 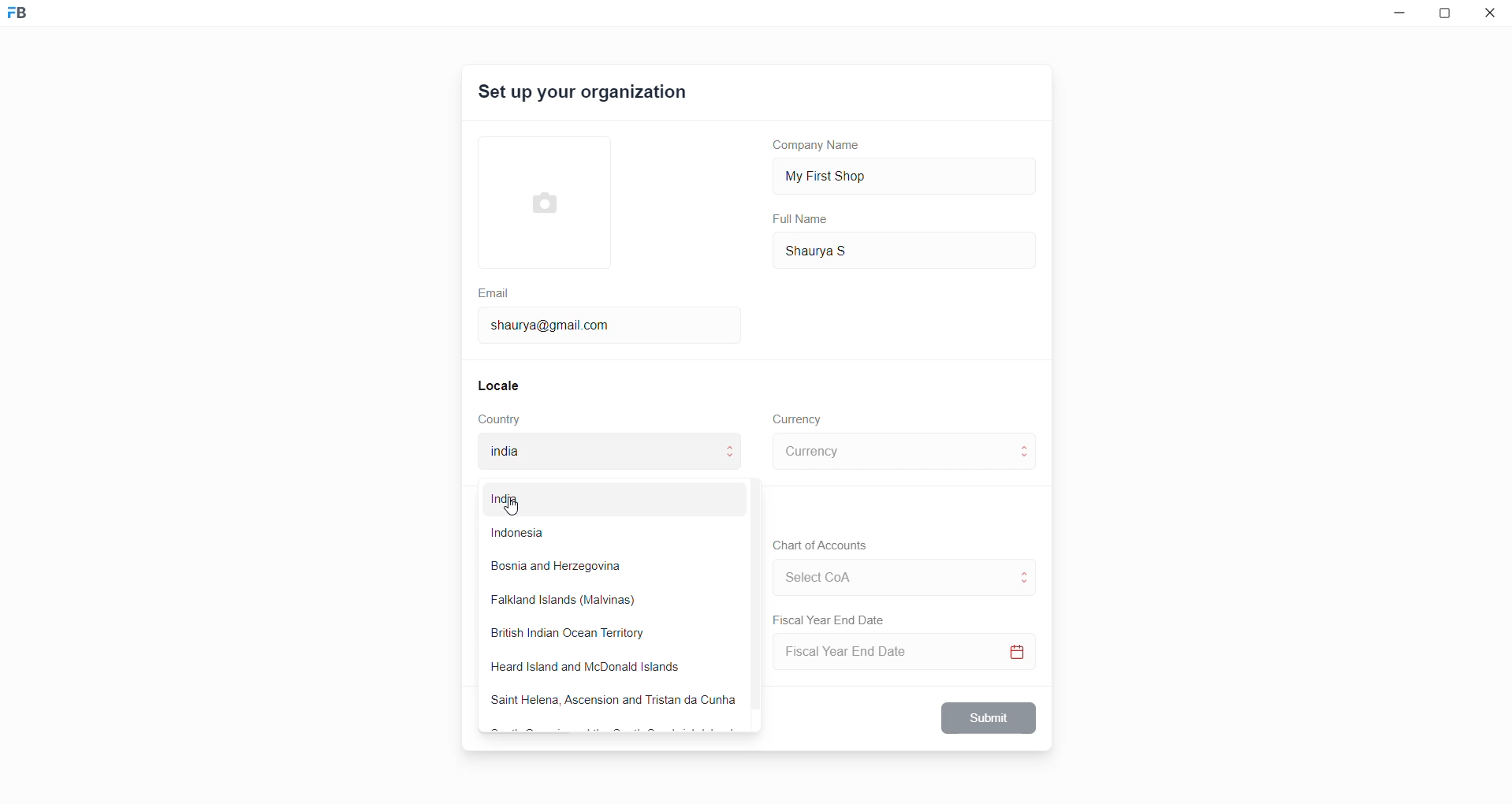 What do you see at coordinates (1028, 445) in the screenshot?
I see `move to above curreny` at bounding box center [1028, 445].